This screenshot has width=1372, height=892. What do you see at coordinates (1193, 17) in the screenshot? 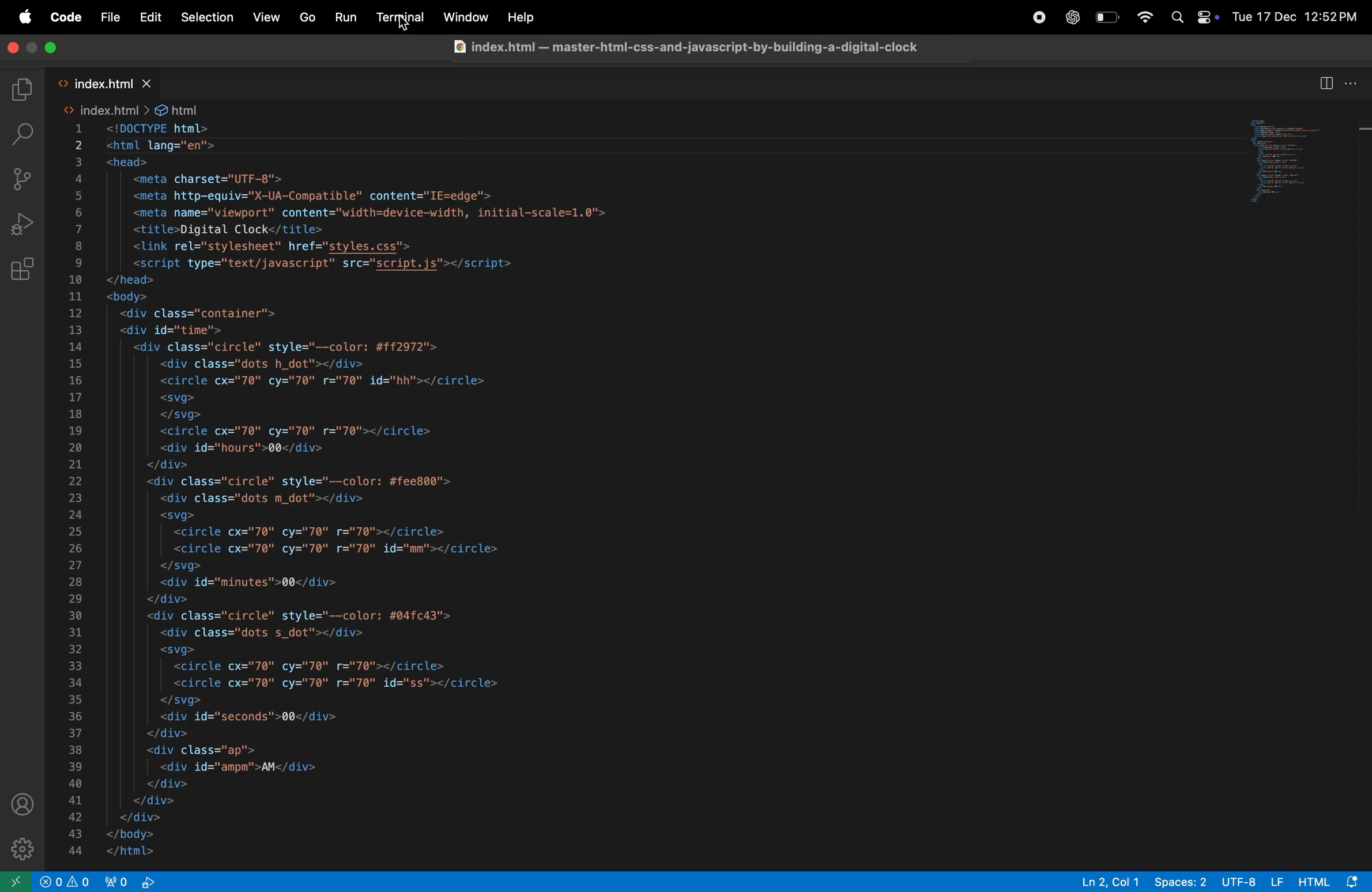
I see `apple widgets` at bounding box center [1193, 17].